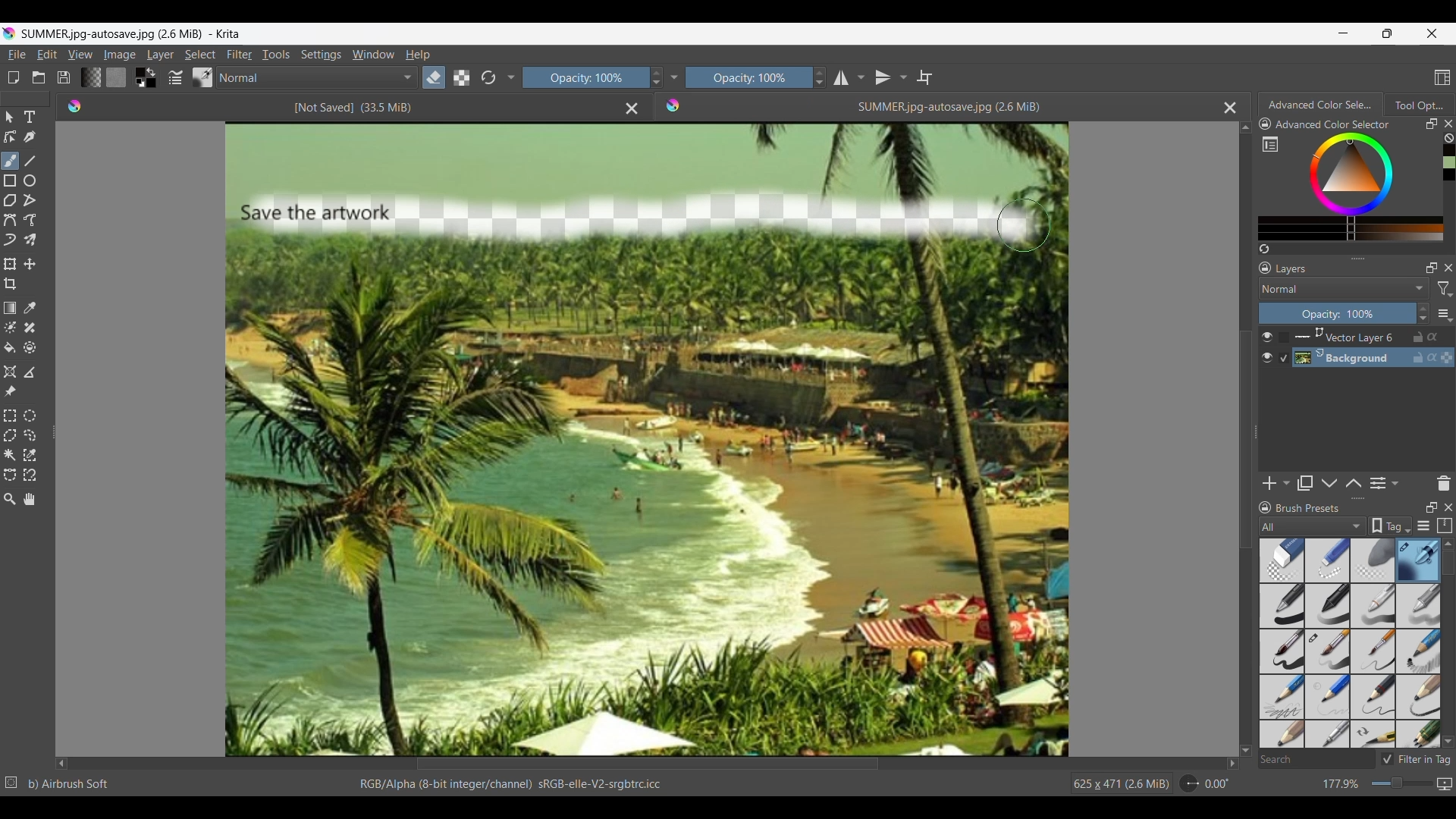 Image resolution: width=1456 pixels, height=819 pixels. What do you see at coordinates (1402, 783) in the screenshot?
I see `Slider to change zoom factor` at bounding box center [1402, 783].